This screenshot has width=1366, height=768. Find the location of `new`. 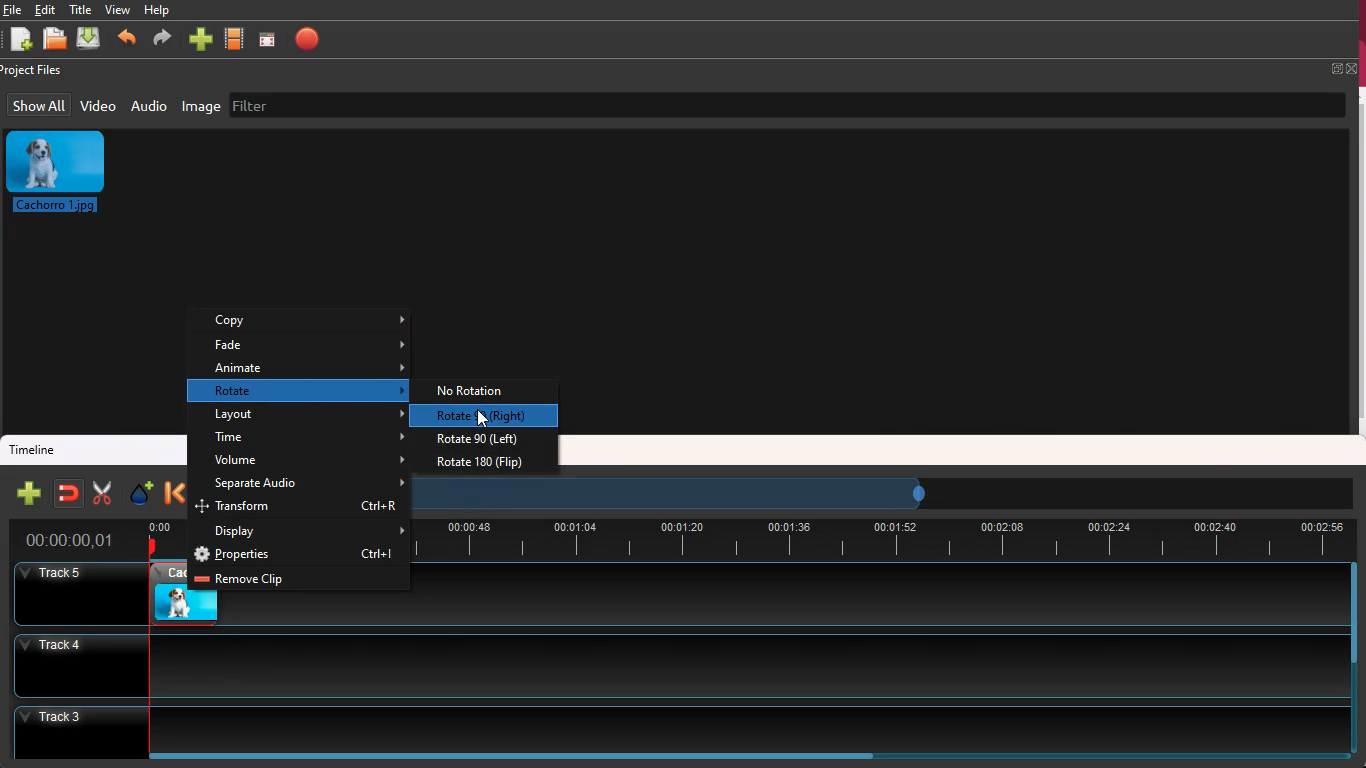

new is located at coordinates (20, 41).